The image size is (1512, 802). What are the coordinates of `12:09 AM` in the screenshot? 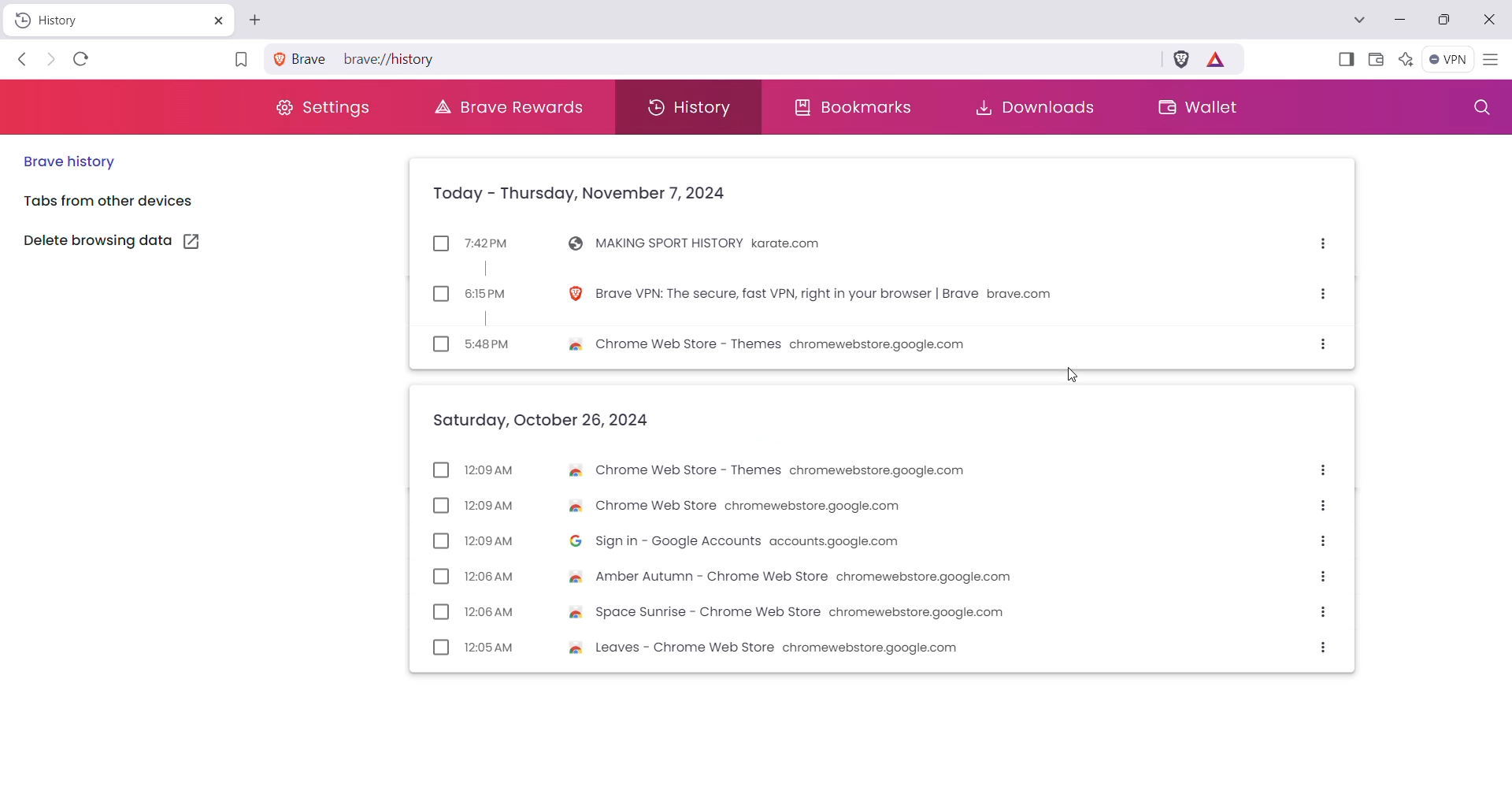 It's located at (492, 472).